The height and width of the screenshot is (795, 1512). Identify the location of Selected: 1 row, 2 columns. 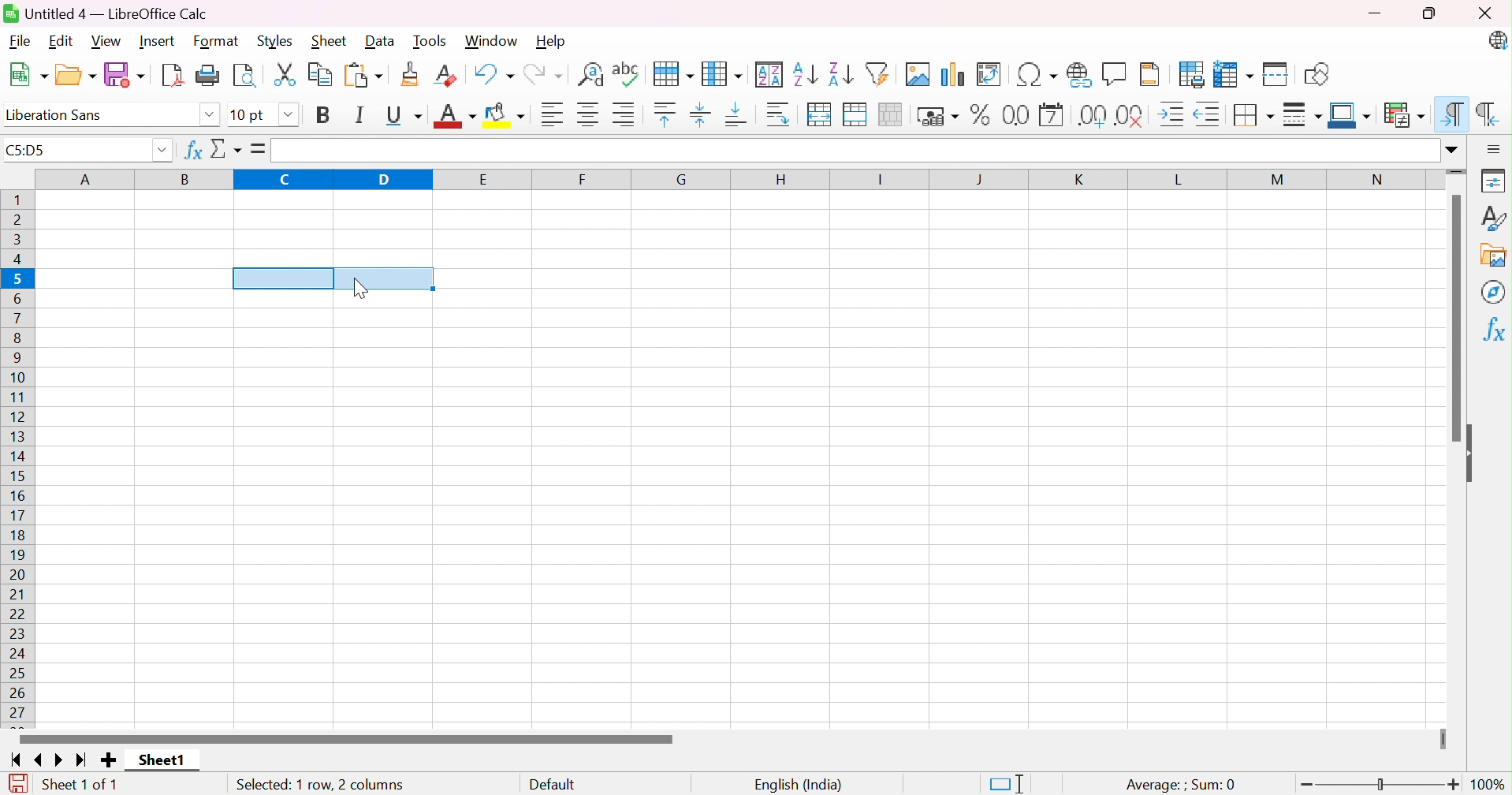
(320, 784).